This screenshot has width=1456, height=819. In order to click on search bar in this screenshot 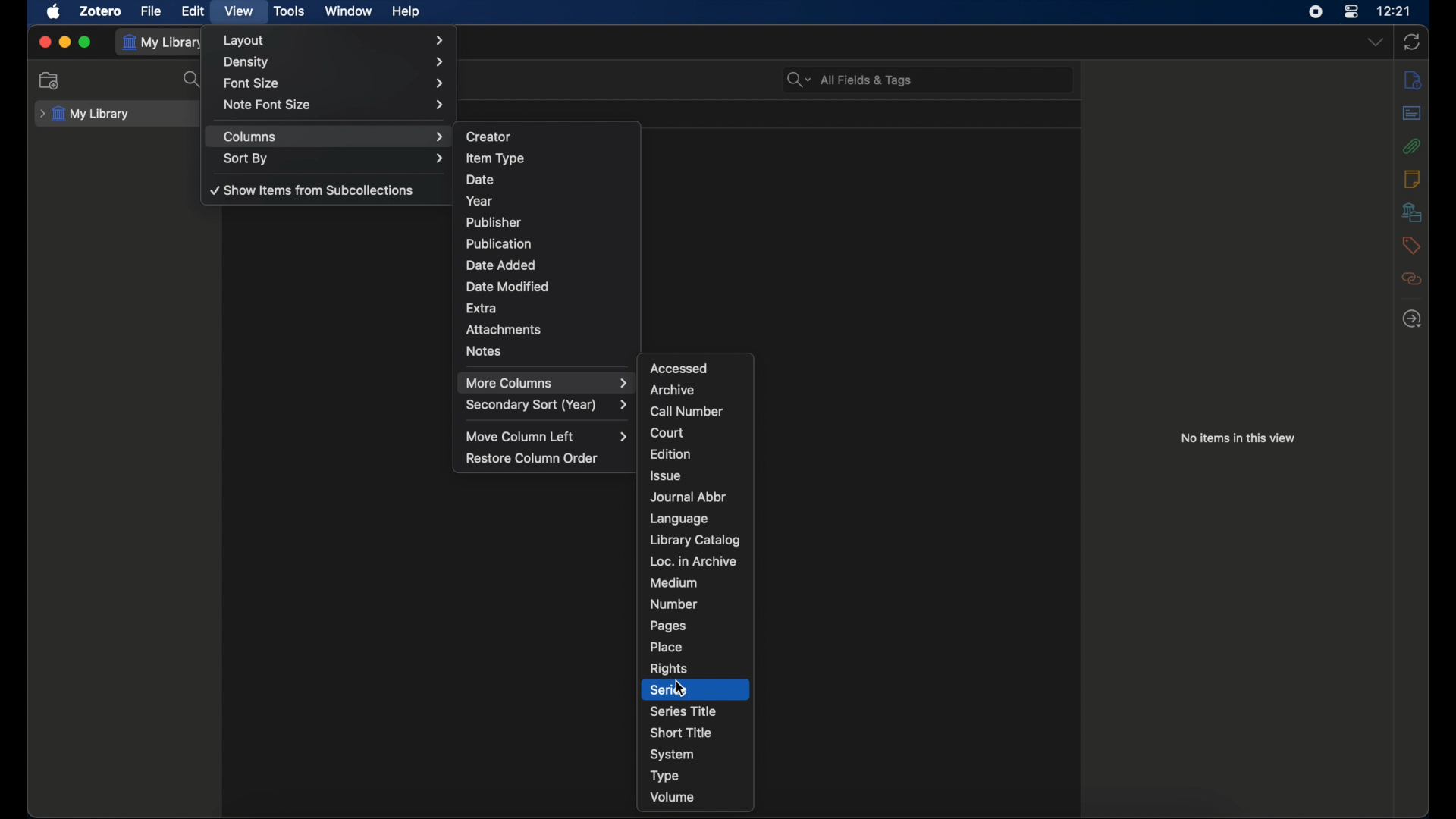, I will do `click(850, 80)`.